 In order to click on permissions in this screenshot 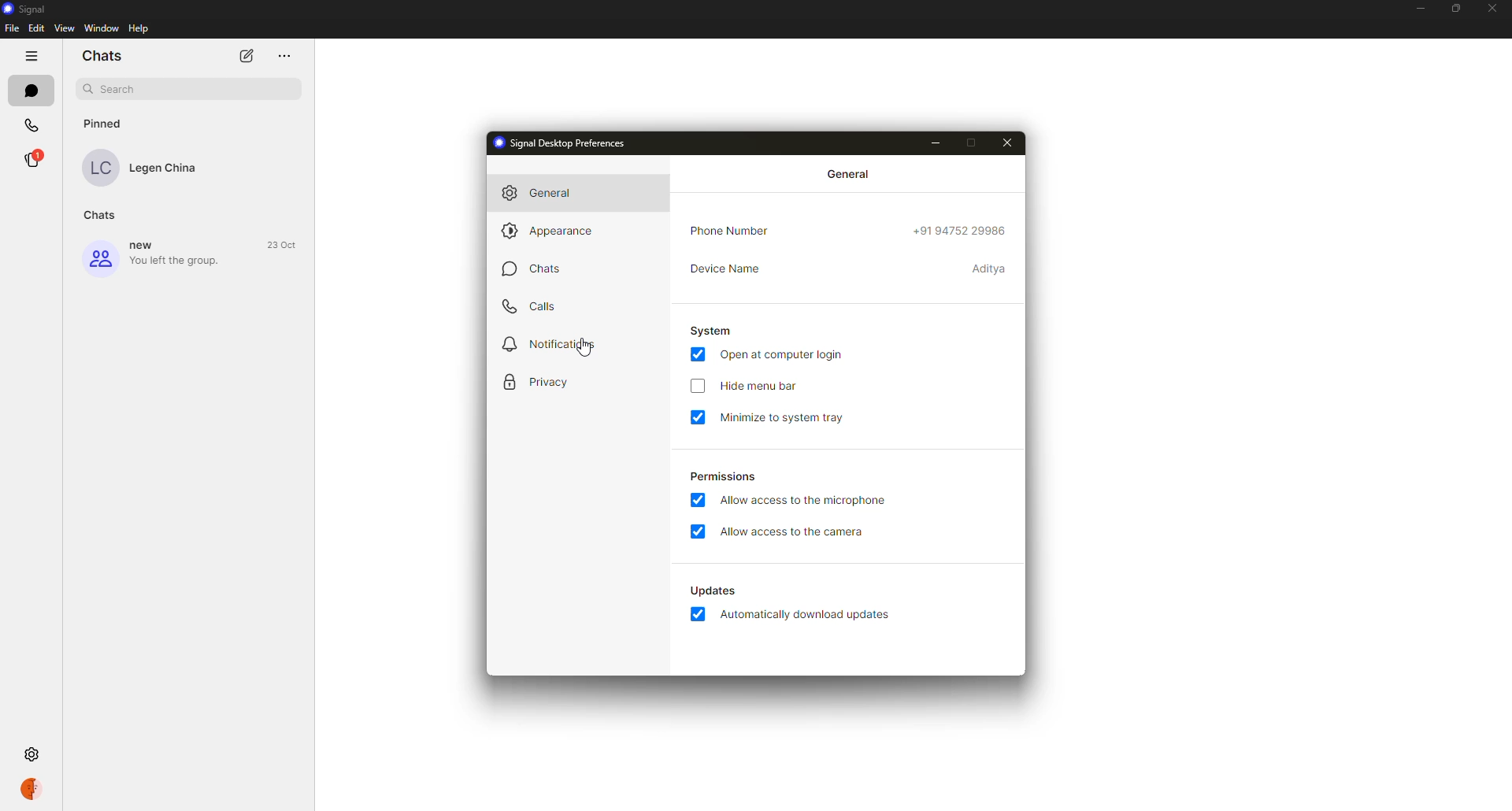, I will do `click(726, 476)`.